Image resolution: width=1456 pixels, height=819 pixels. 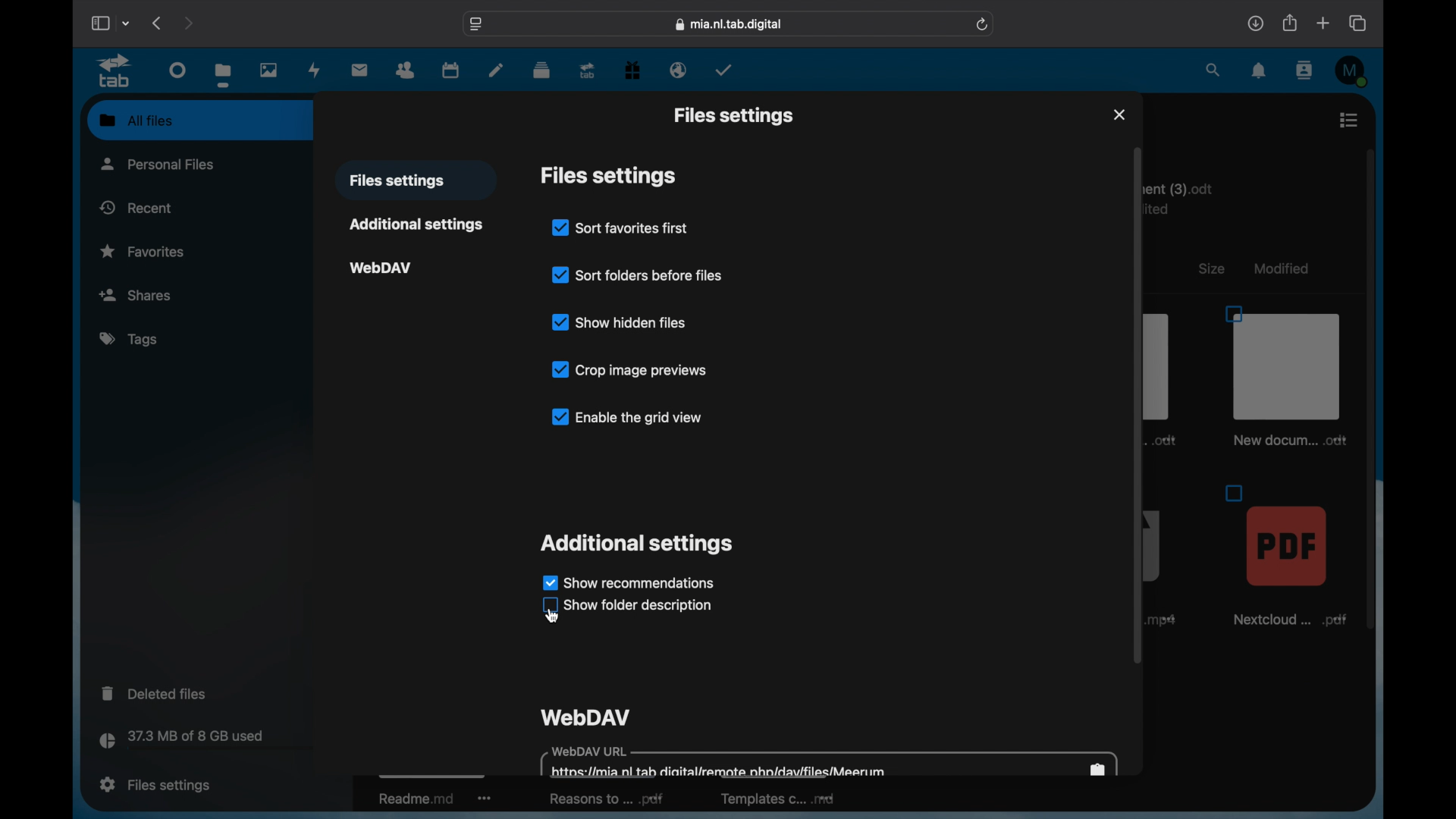 I want to click on text, so click(x=1188, y=194).